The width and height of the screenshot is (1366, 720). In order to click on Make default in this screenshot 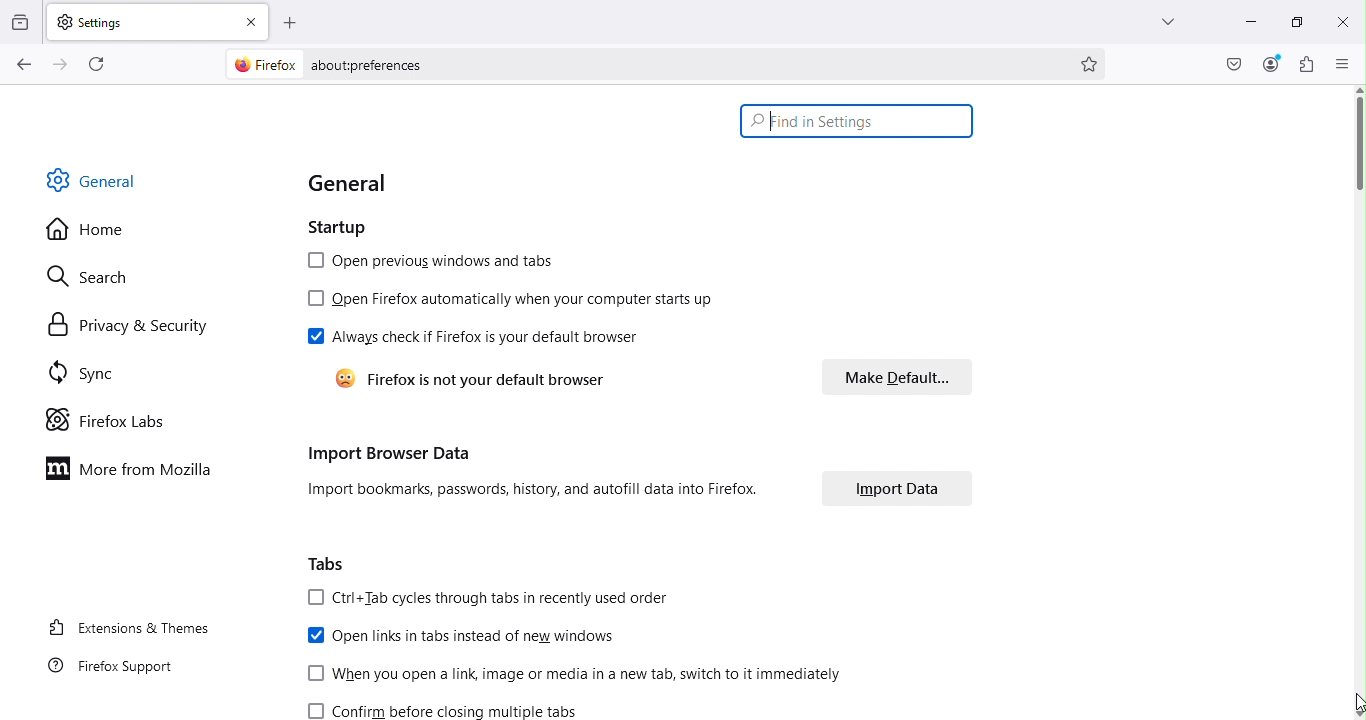, I will do `click(895, 376)`.